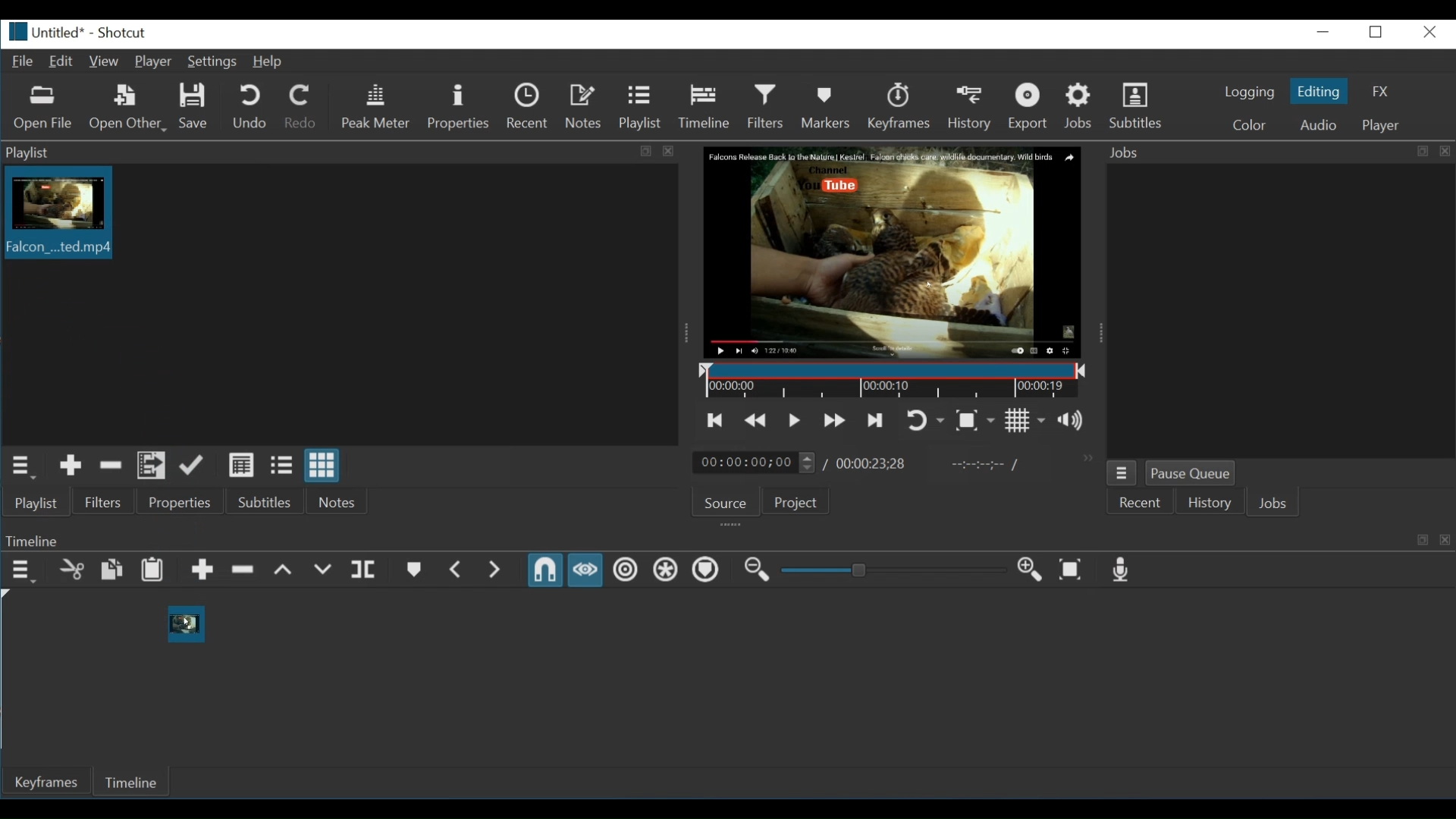 The width and height of the screenshot is (1456, 819). What do you see at coordinates (663, 569) in the screenshot?
I see `Ripple all tracks` at bounding box center [663, 569].